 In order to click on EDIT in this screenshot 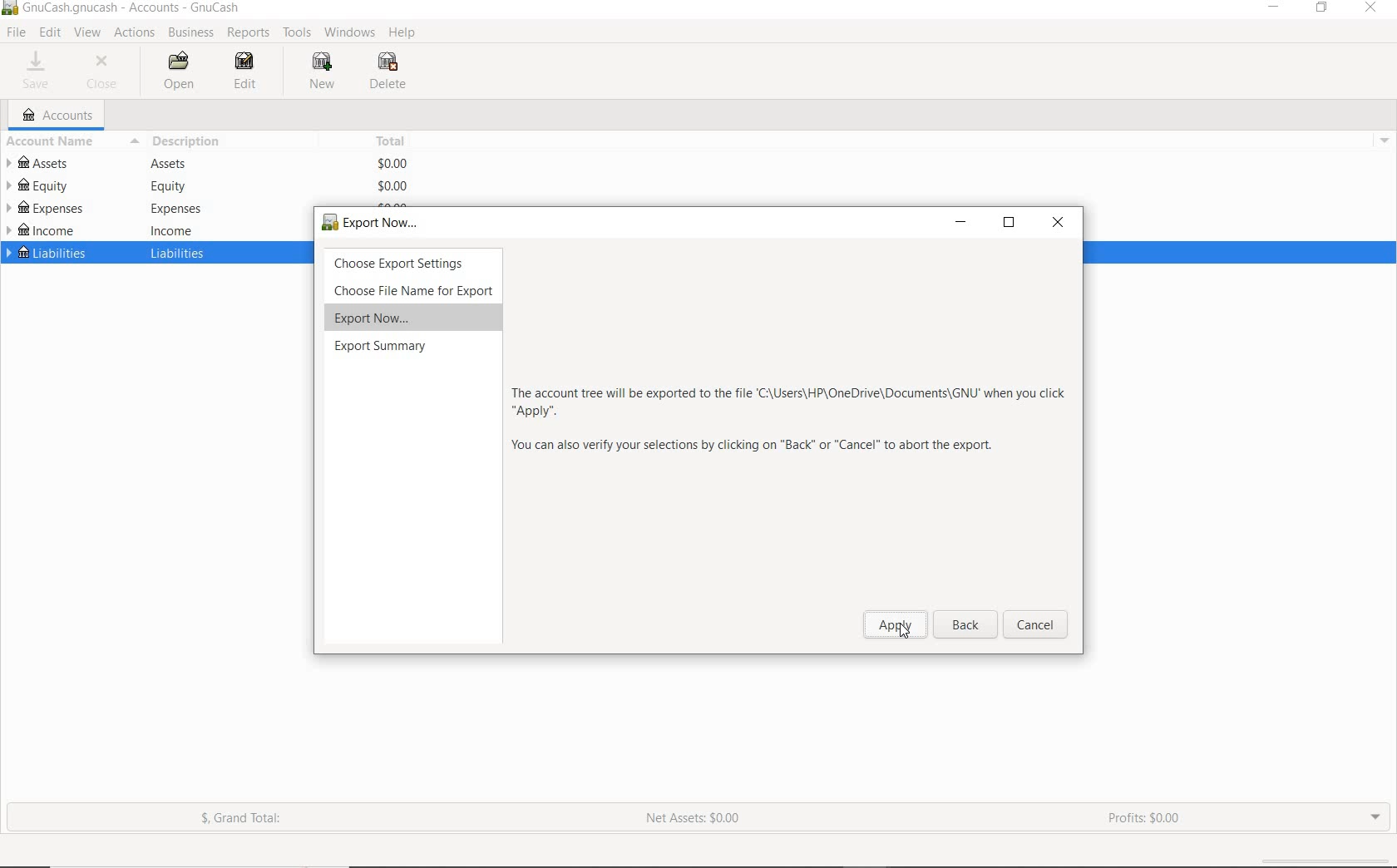, I will do `click(51, 33)`.